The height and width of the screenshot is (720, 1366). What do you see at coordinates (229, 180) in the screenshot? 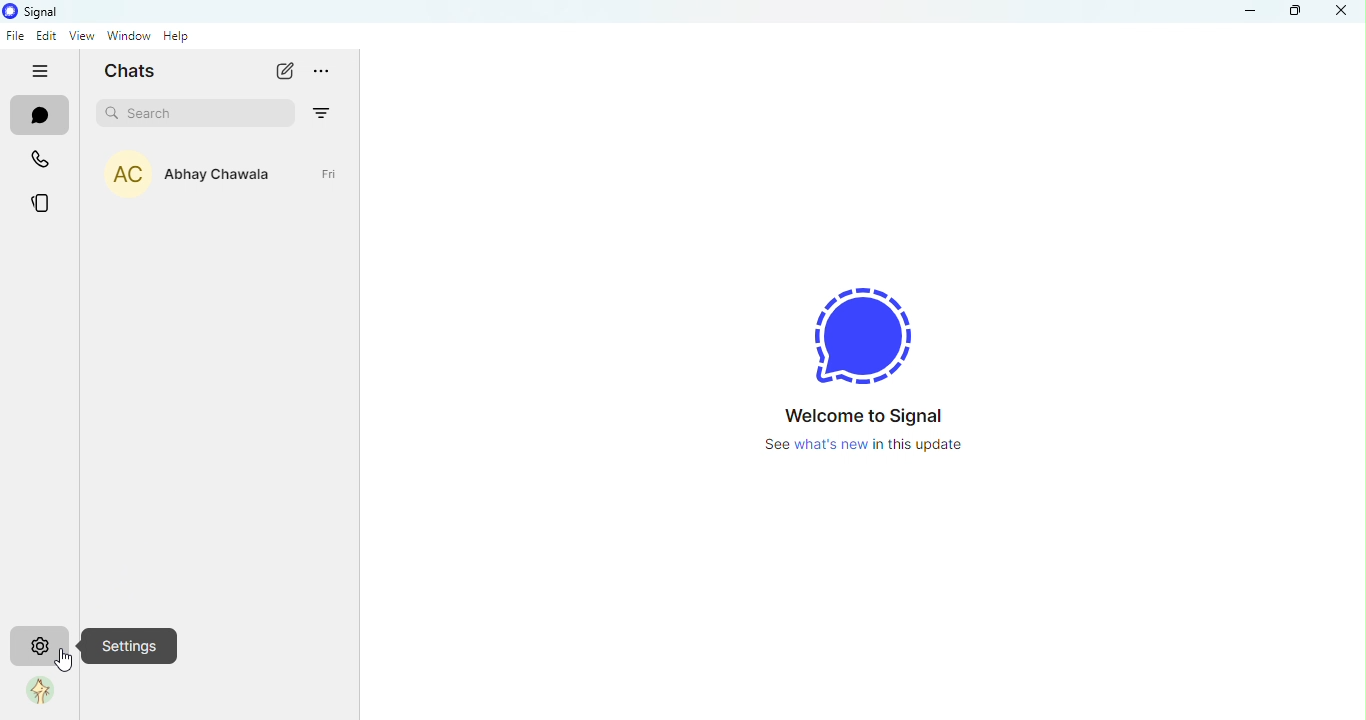
I see `Abhay Chawla` at bounding box center [229, 180].